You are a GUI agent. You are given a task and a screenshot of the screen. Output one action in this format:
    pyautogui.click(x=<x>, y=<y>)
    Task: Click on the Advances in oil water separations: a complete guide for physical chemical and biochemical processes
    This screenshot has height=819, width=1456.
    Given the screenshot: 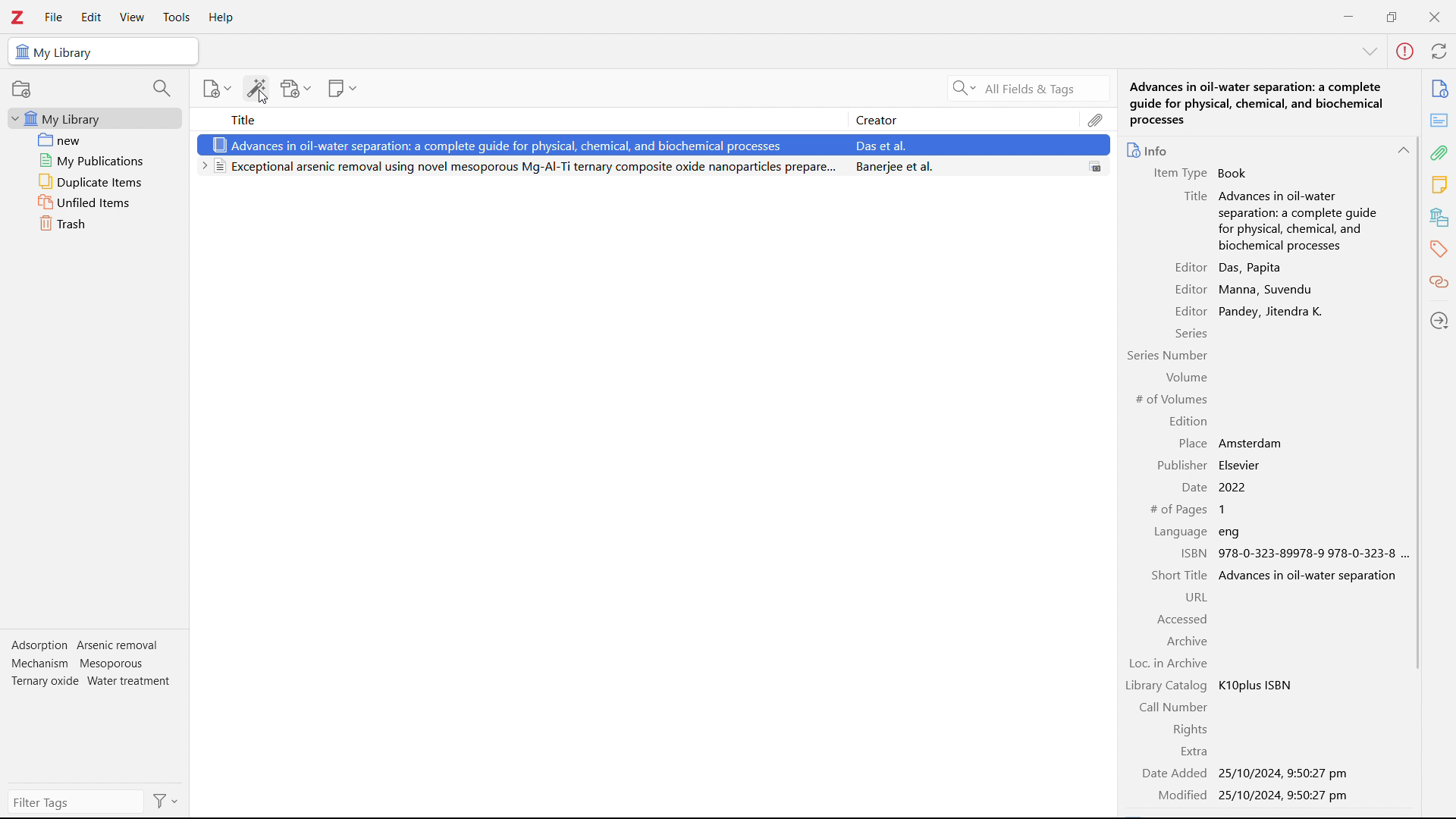 What is the action you would take?
    pyautogui.click(x=1270, y=101)
    